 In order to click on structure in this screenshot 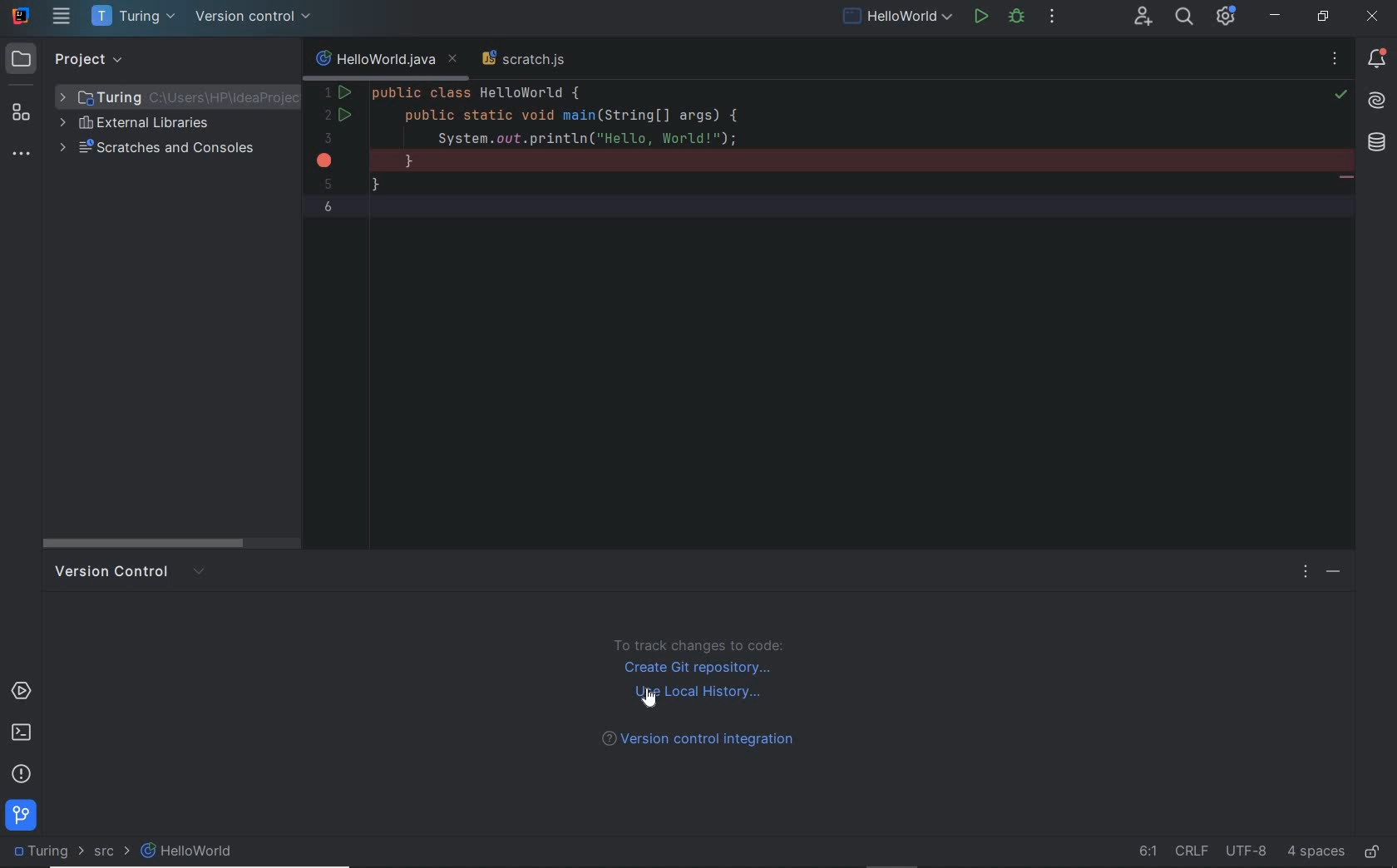, I will do `click(20, 113)`.